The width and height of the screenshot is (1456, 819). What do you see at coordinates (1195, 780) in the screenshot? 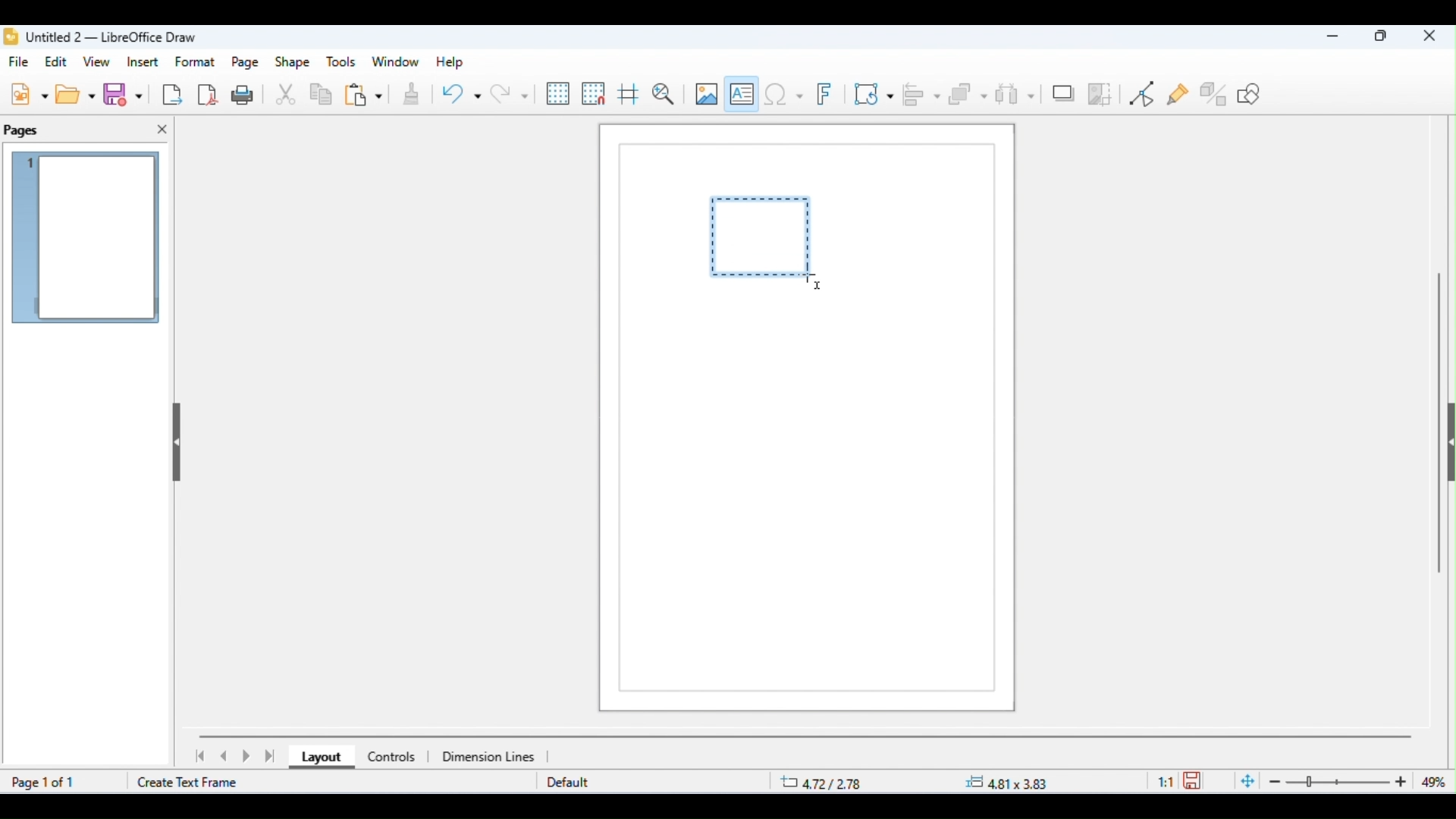
I see `save` at bounding box center [1195, 780].